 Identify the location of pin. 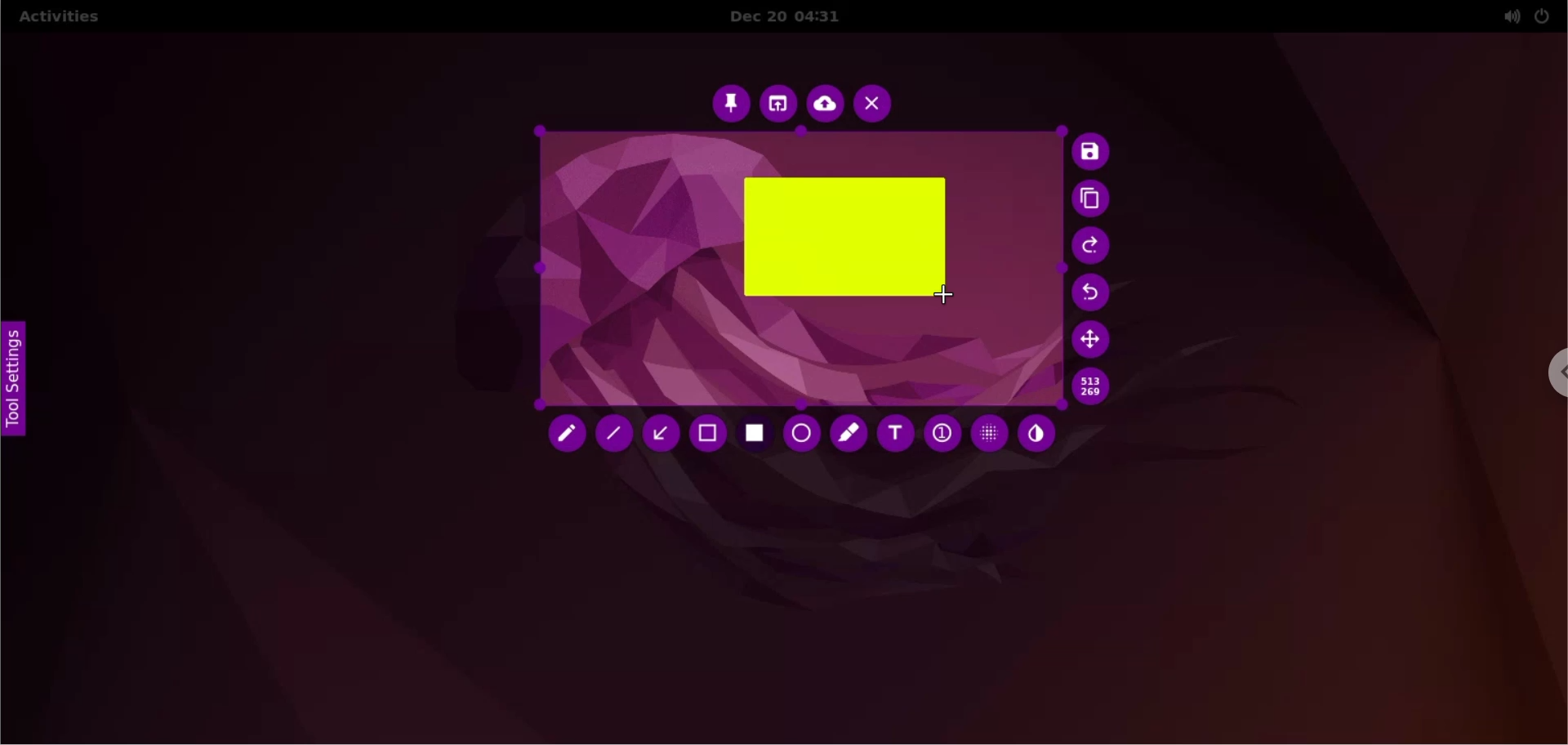
(731, 103).